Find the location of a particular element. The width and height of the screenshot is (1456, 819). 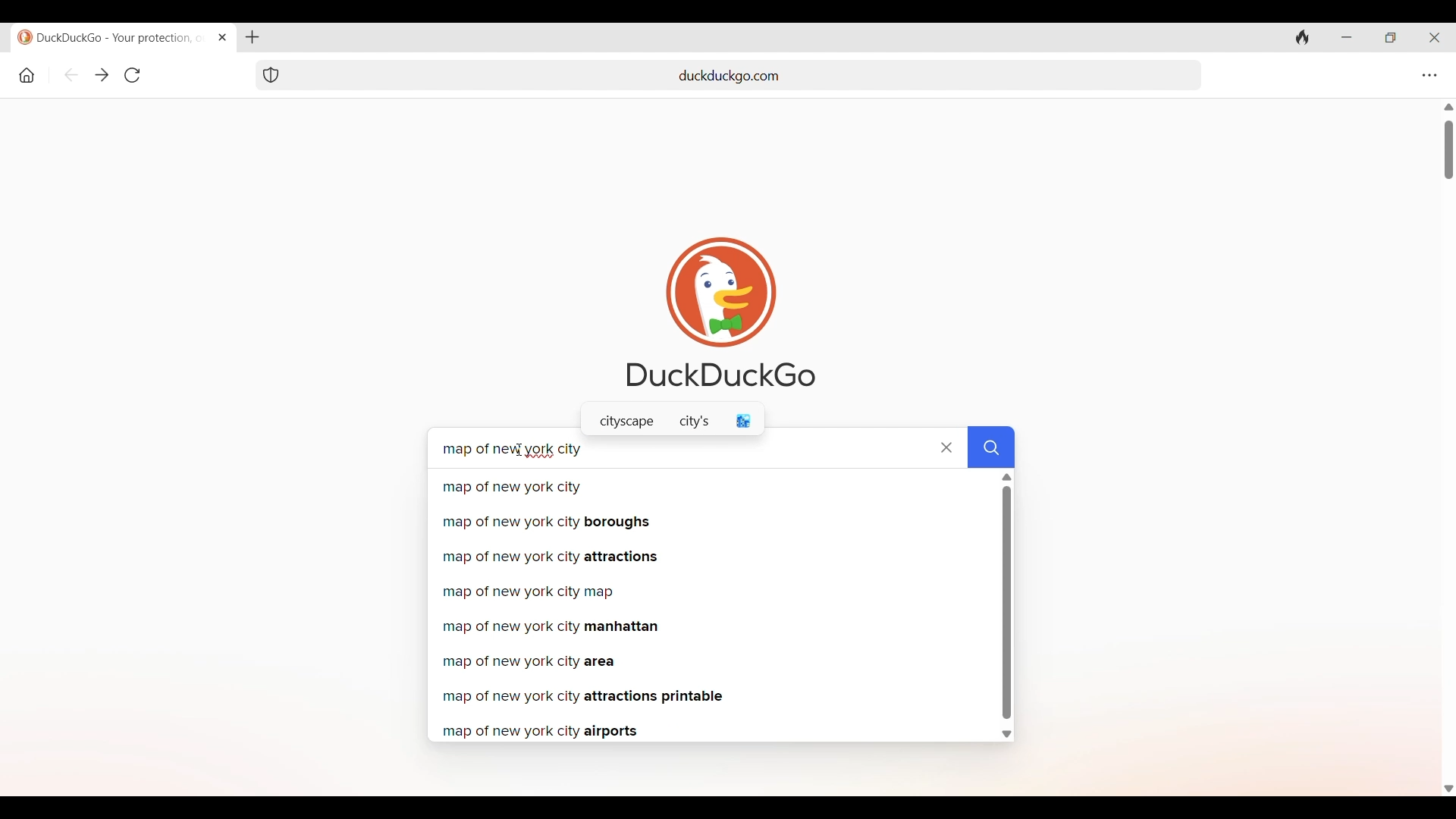

duckduckgo.com is located at coordinates (730, 77).